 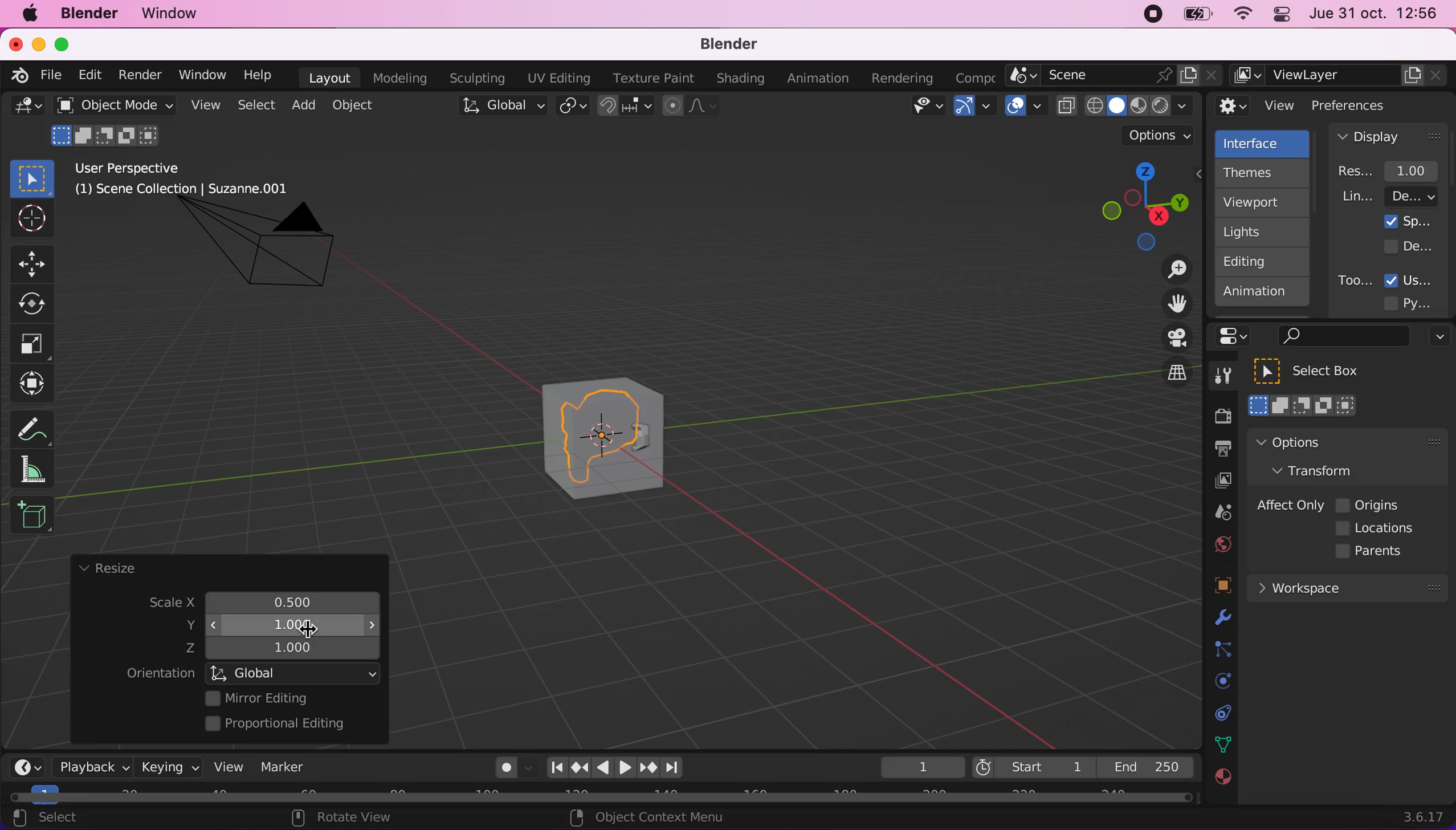 What do you see at coordinates (190, 180) in the screenshot?
I see `user perspective (1) scene collection | suzzane.001` at bounding box center [190, 180].